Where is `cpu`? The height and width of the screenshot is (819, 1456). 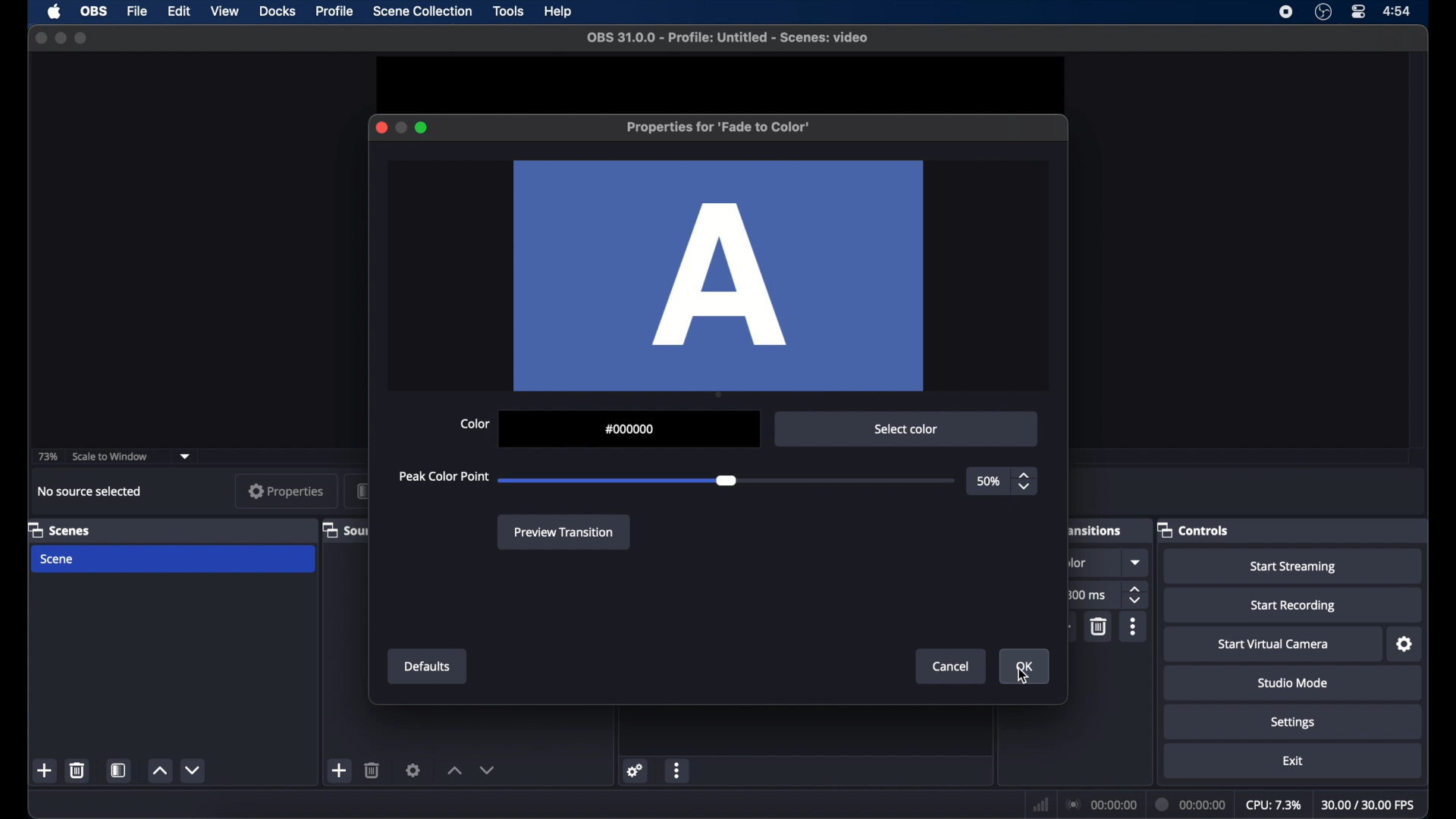
cpu is located at coordinates (1273, 805).